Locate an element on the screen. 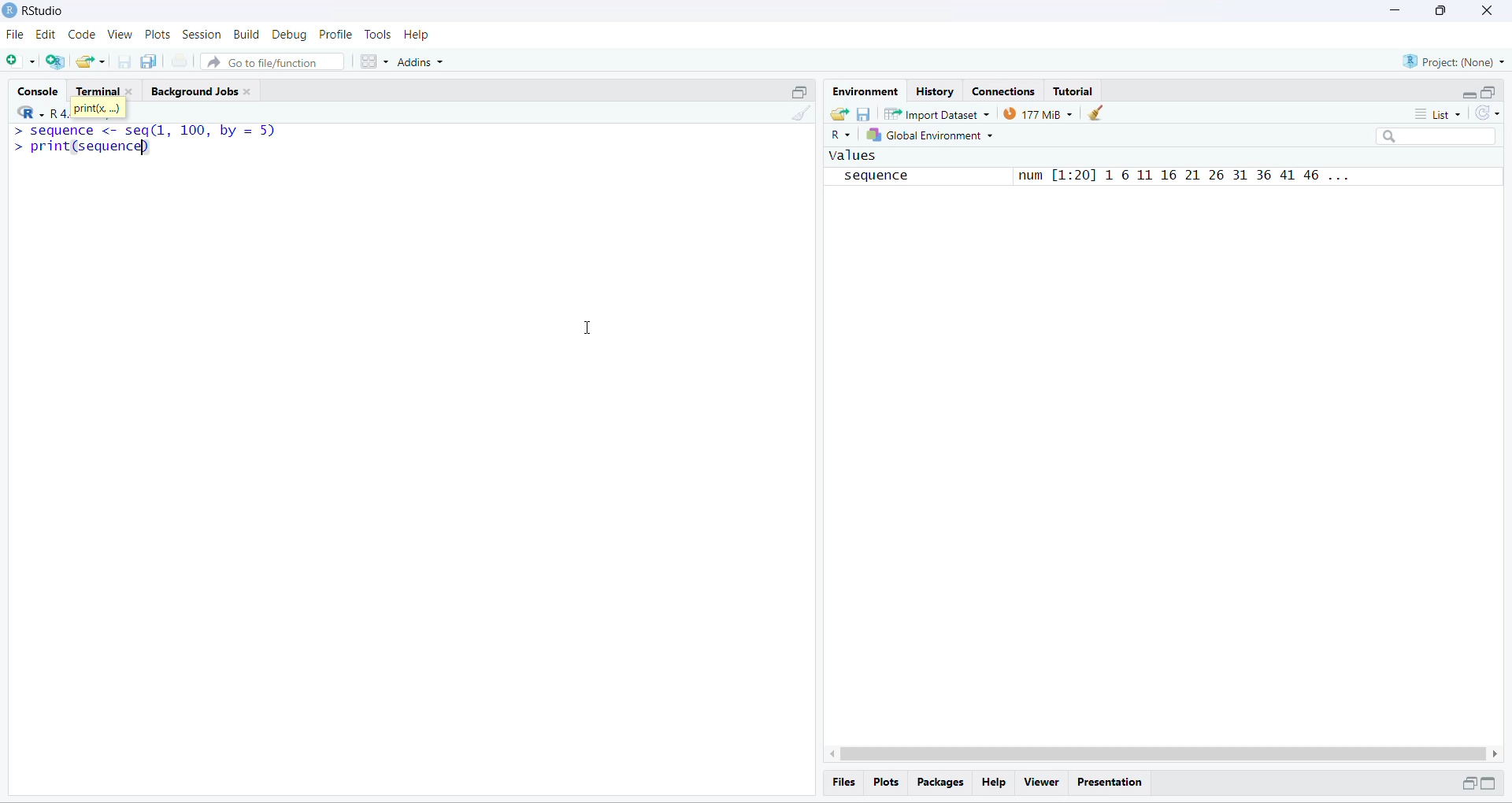 This screenshot has width=1512, height=803. list is located at coordinates (1438, 114).